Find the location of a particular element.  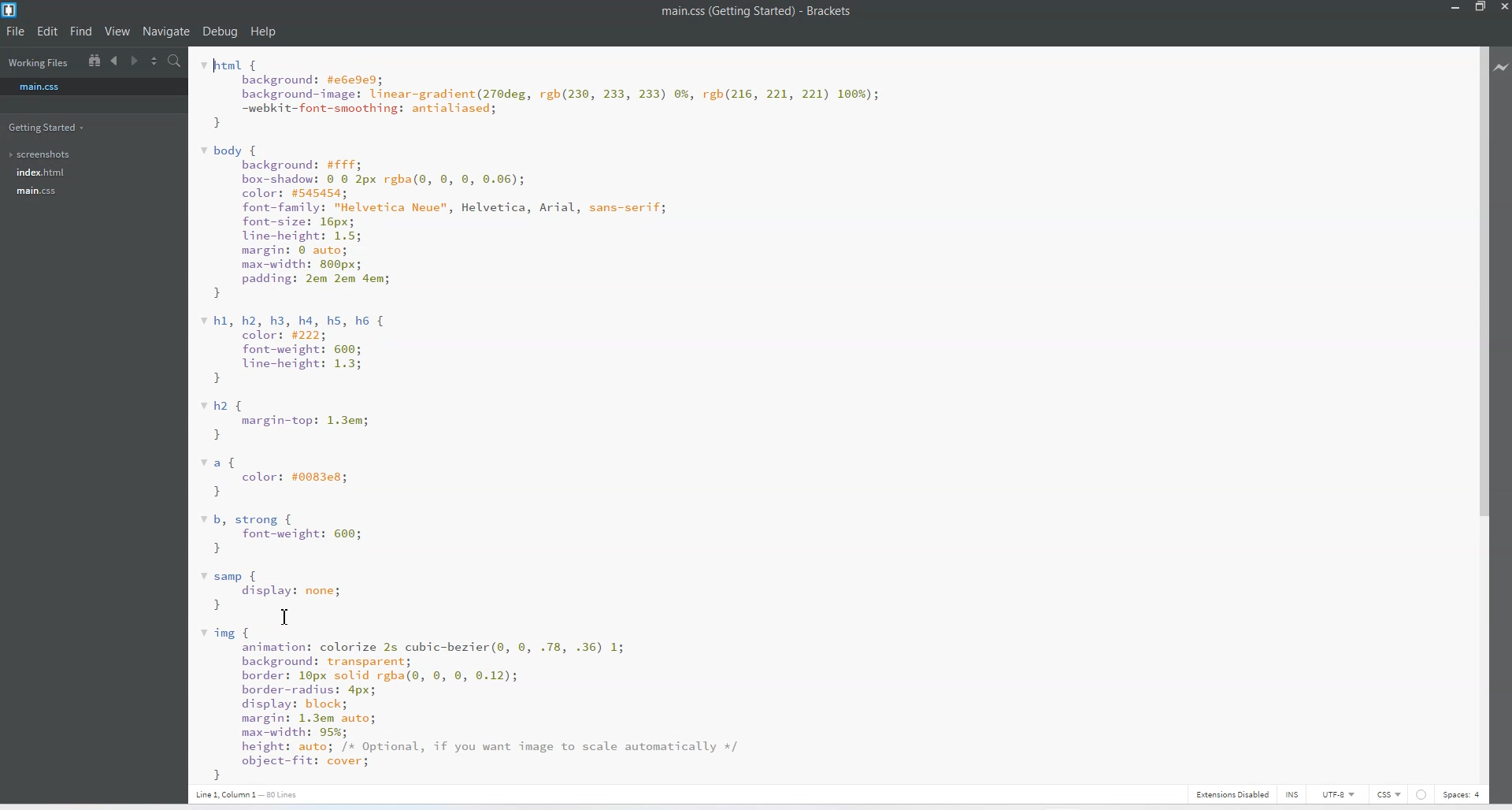

Navigate Backwards is located at coordinates (117, 61).